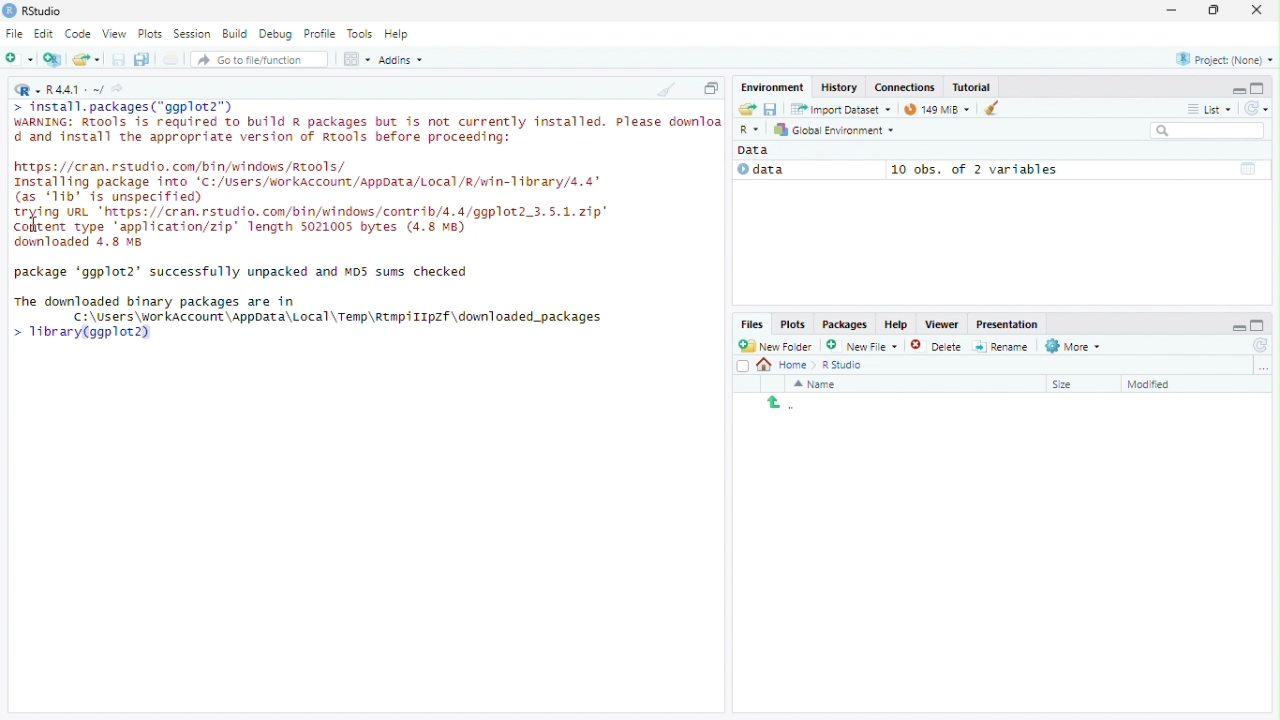 This screenshot has width=1280, height=720. I want to click on maximize, so click(1261, 324).